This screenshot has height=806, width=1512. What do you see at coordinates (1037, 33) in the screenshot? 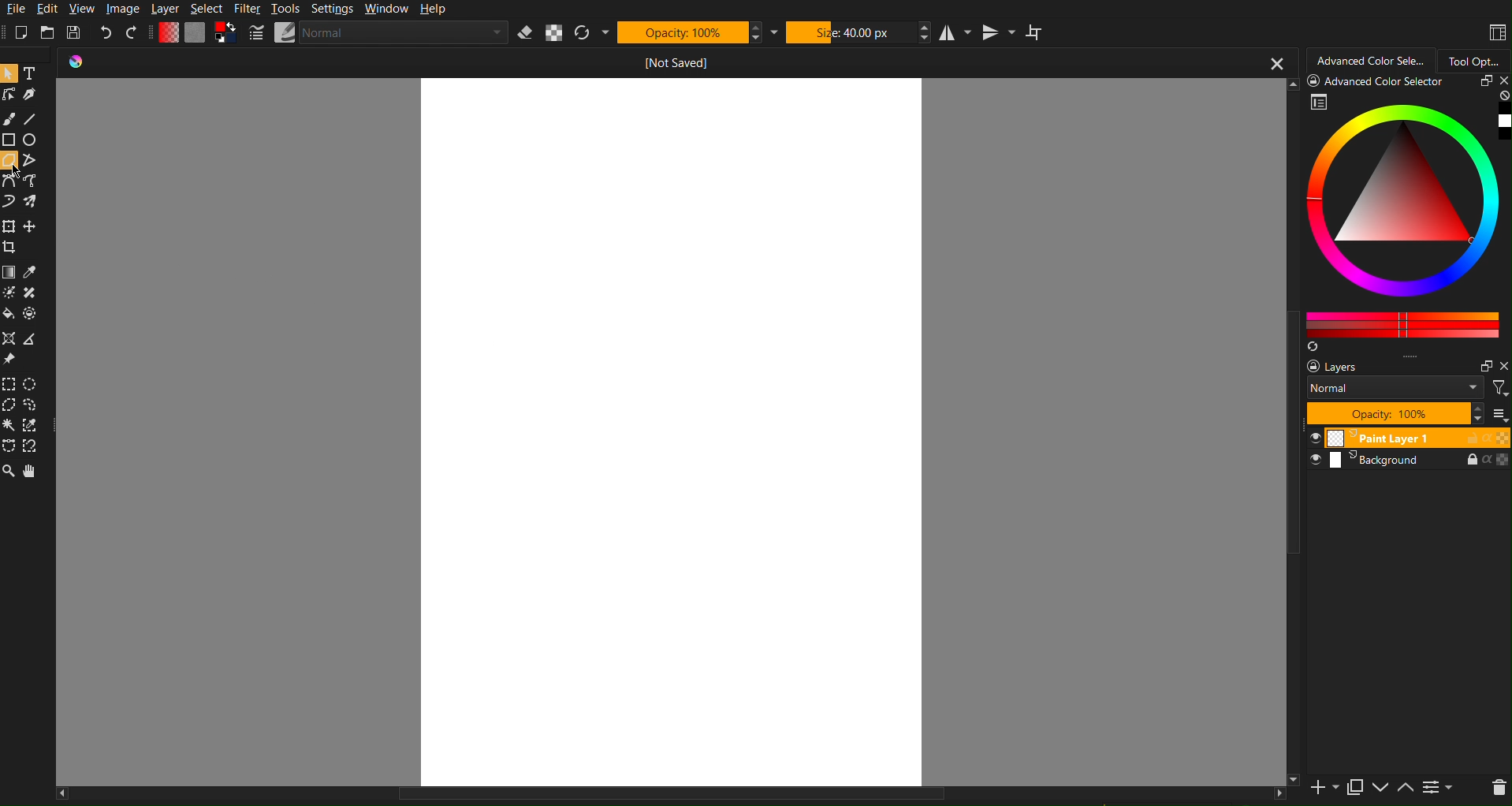
I see `Wrap Around` at bounding box center [1037, 33].